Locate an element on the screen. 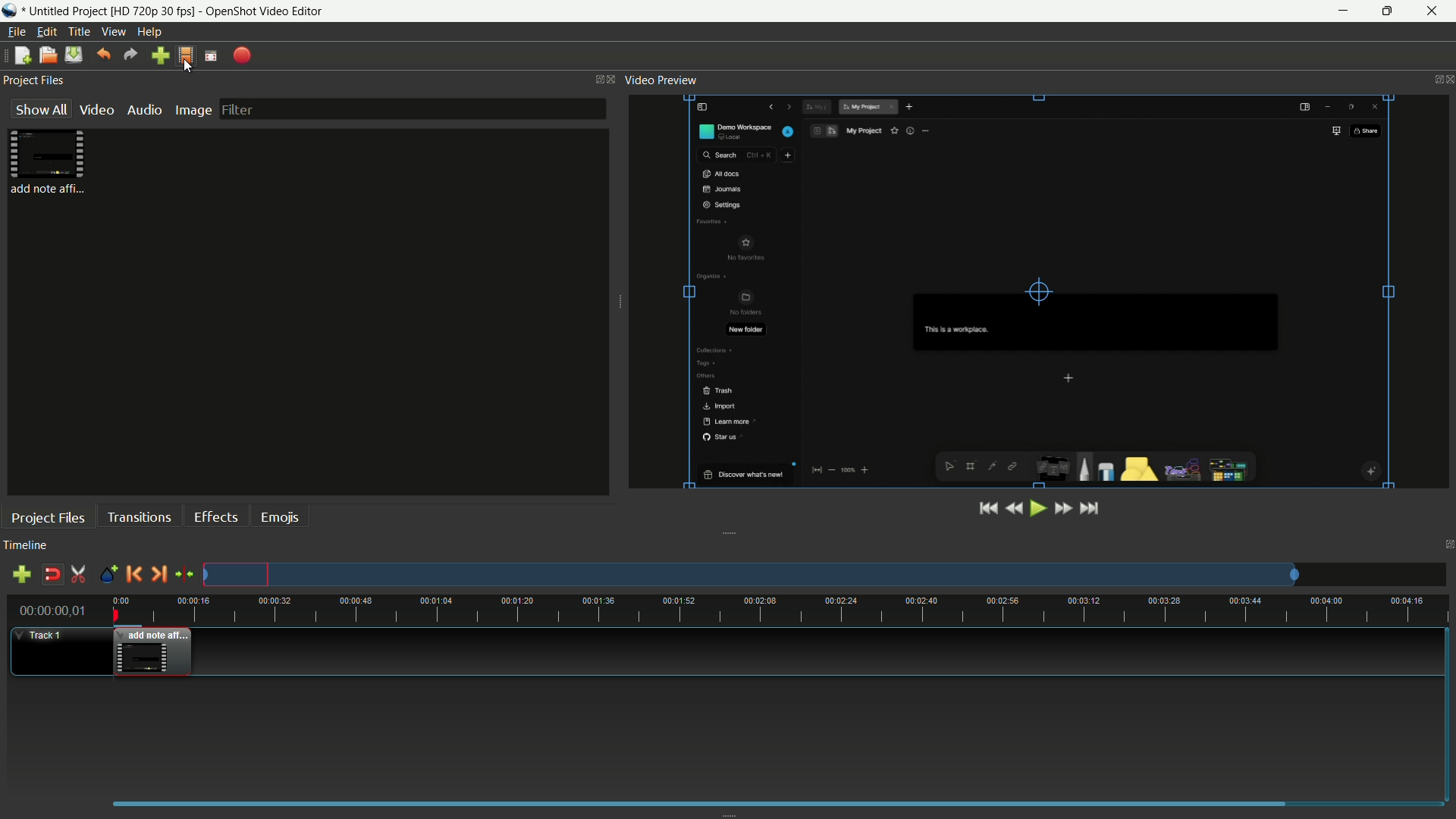 This screenshot has height=819, width=1456. play or pause is located at coordinates (1037, 510).